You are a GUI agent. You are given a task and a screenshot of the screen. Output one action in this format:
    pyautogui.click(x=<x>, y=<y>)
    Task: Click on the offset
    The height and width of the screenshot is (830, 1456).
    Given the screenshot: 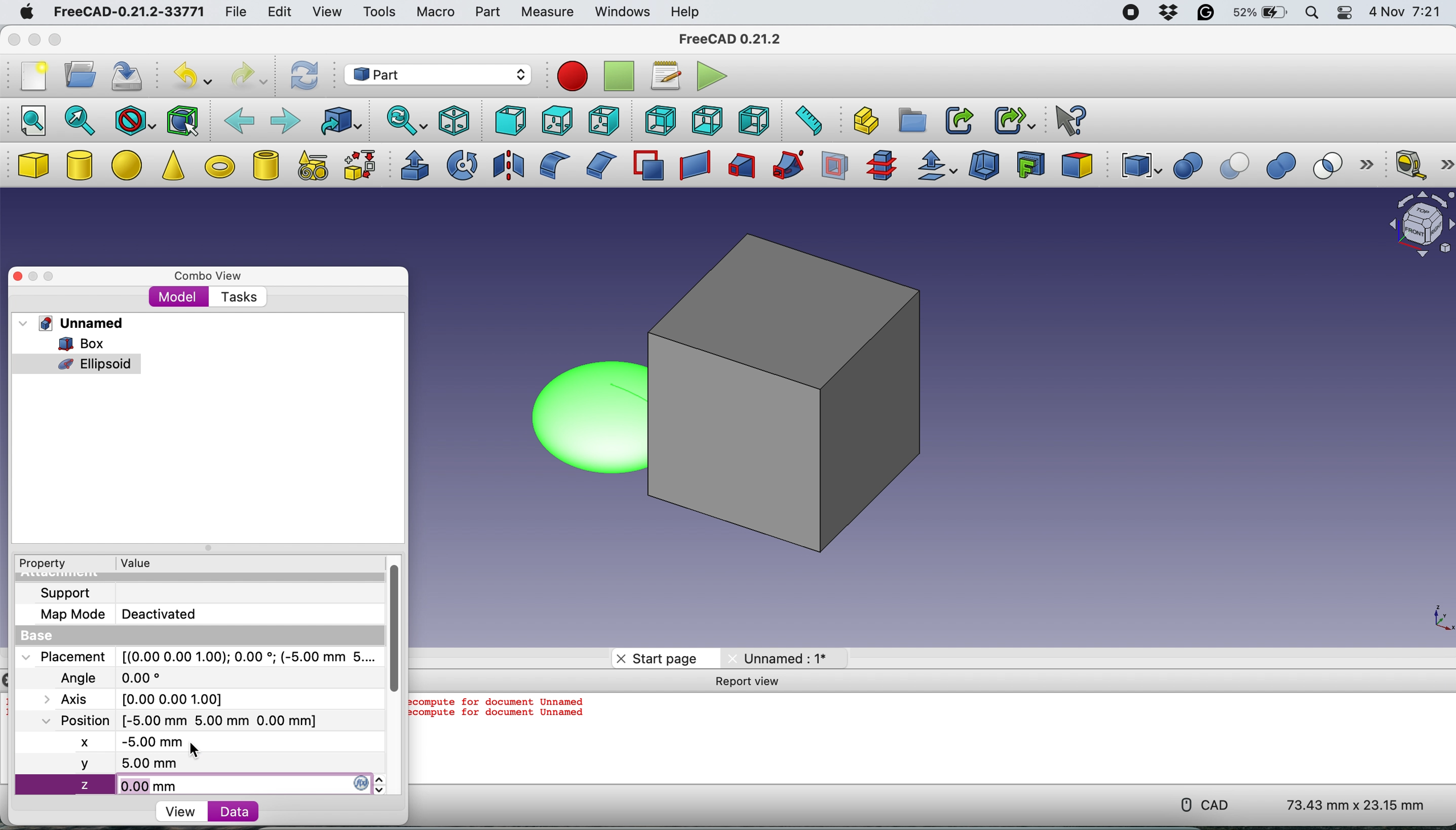 What is the action you would take?
    pyautogui.click(x=937, y=167)
    